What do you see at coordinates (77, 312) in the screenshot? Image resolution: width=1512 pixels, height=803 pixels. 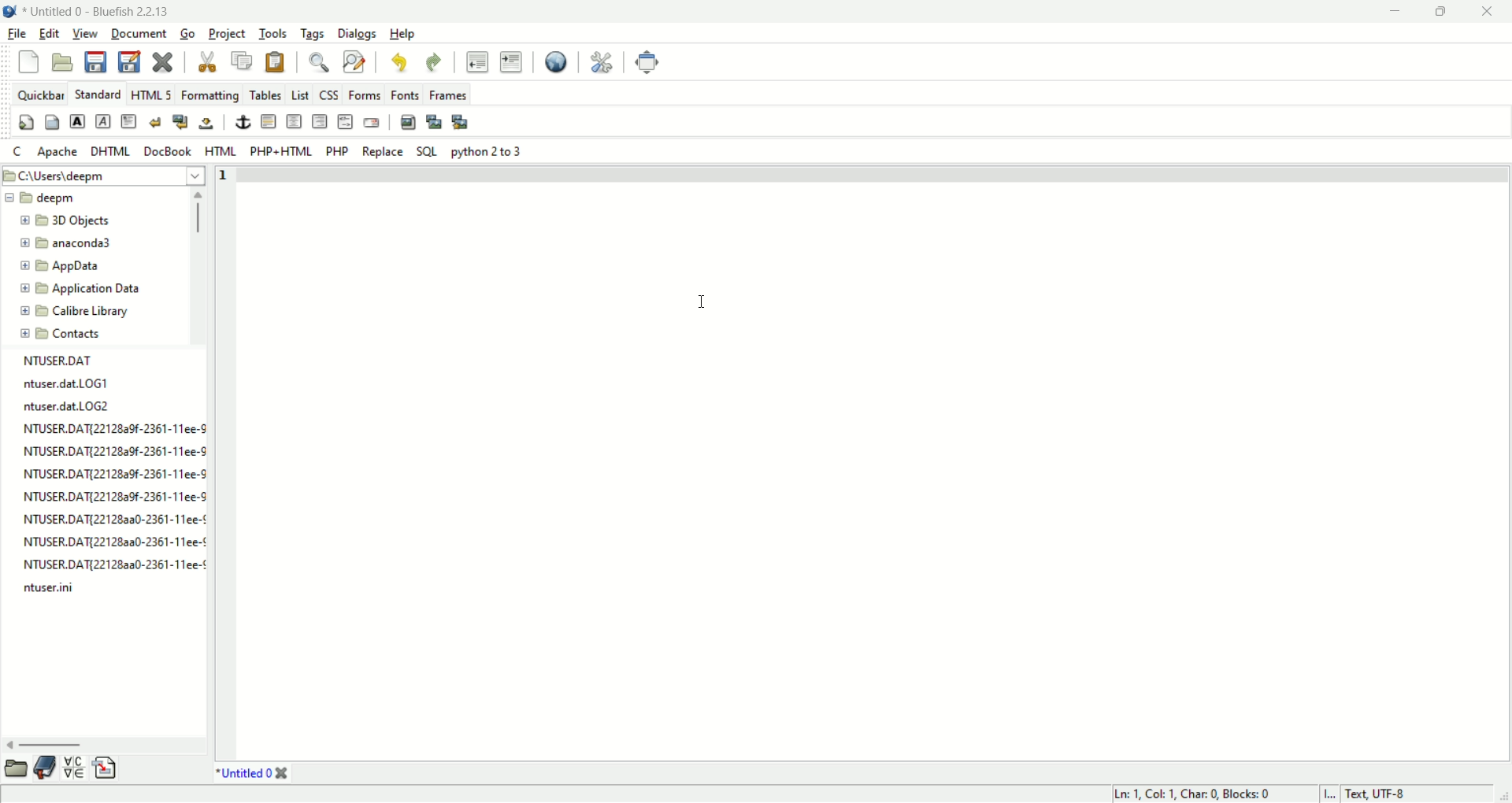 I see `calibre library` at bounding box center [77, 312].